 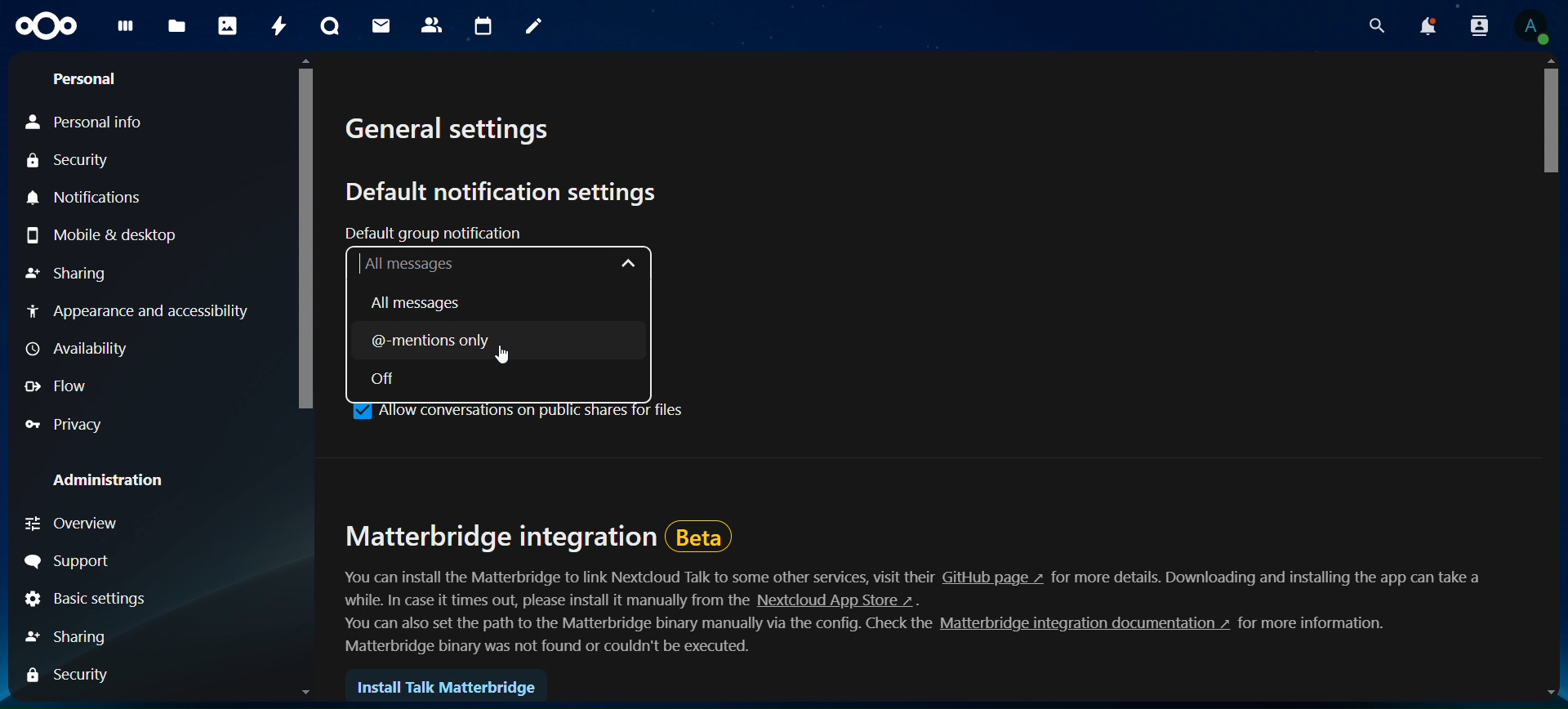 What do you see at coordinates (69, 161) in the screenshot?
I see `security` at bounding box center [69, 161].